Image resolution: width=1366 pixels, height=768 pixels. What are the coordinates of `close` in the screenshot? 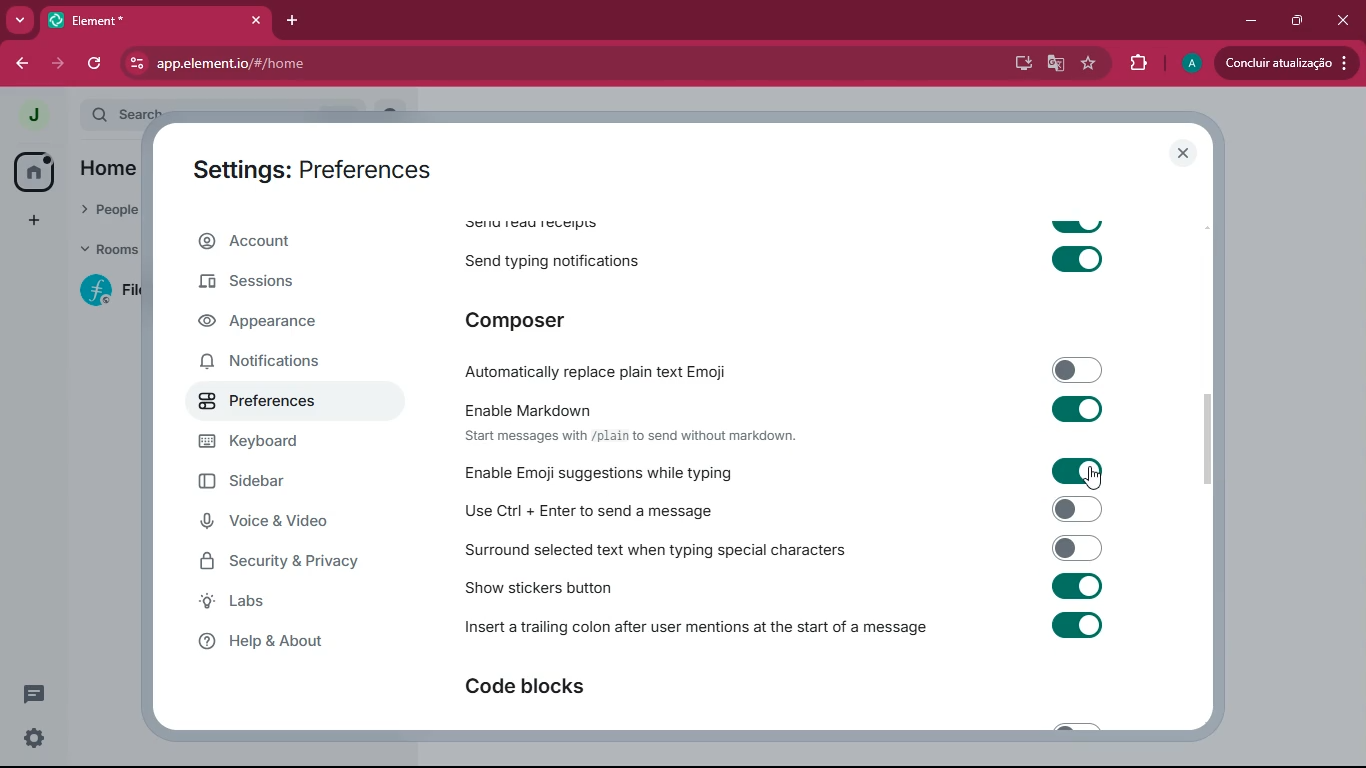 It's located at (1185, 153).